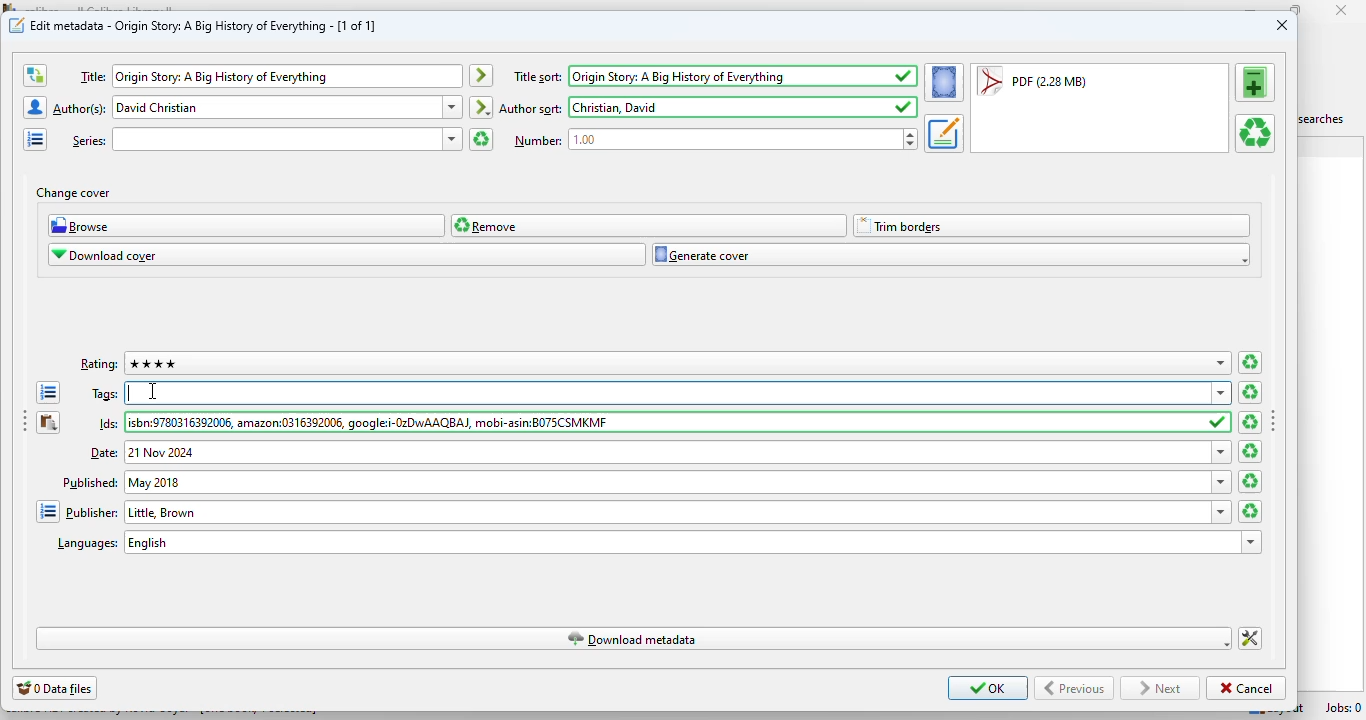 This screenshot has width=1366, height=720. What do you see at coordinates (47, 511) in the screenshot?
I see `open the manage publishers editor` at bounding box center [47, 511].